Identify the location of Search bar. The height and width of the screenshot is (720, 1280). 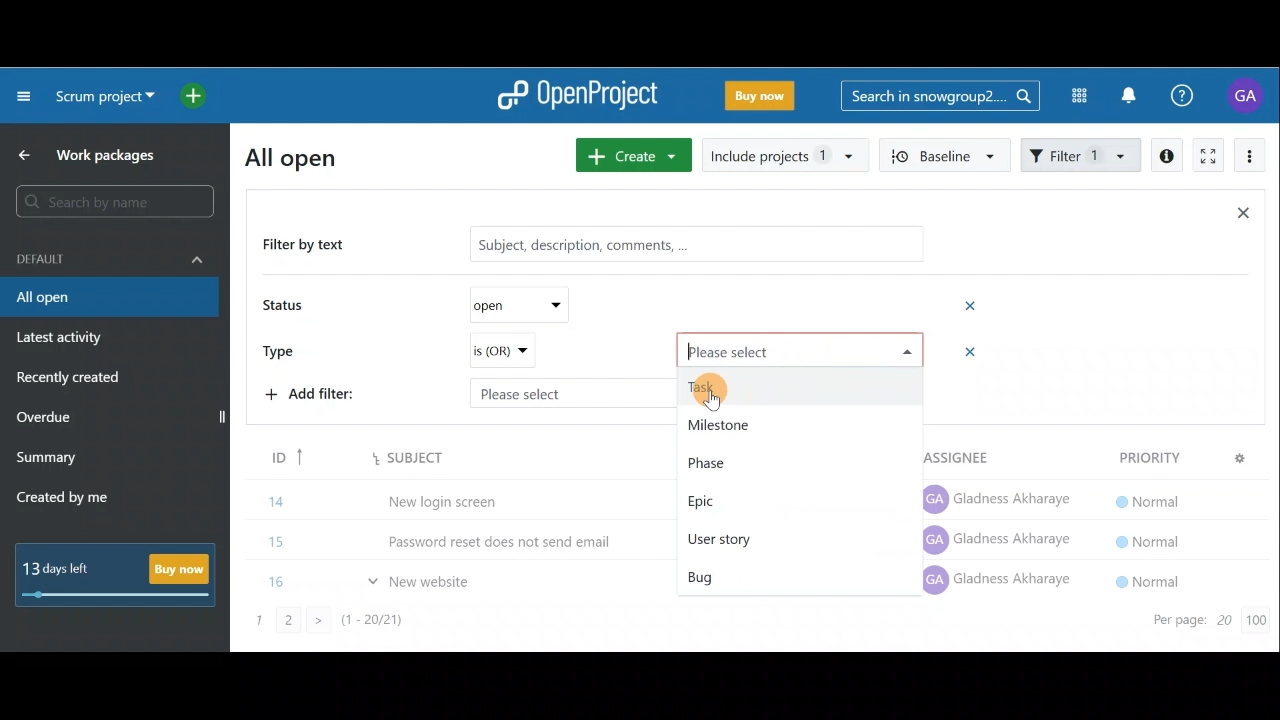
(940, 94).